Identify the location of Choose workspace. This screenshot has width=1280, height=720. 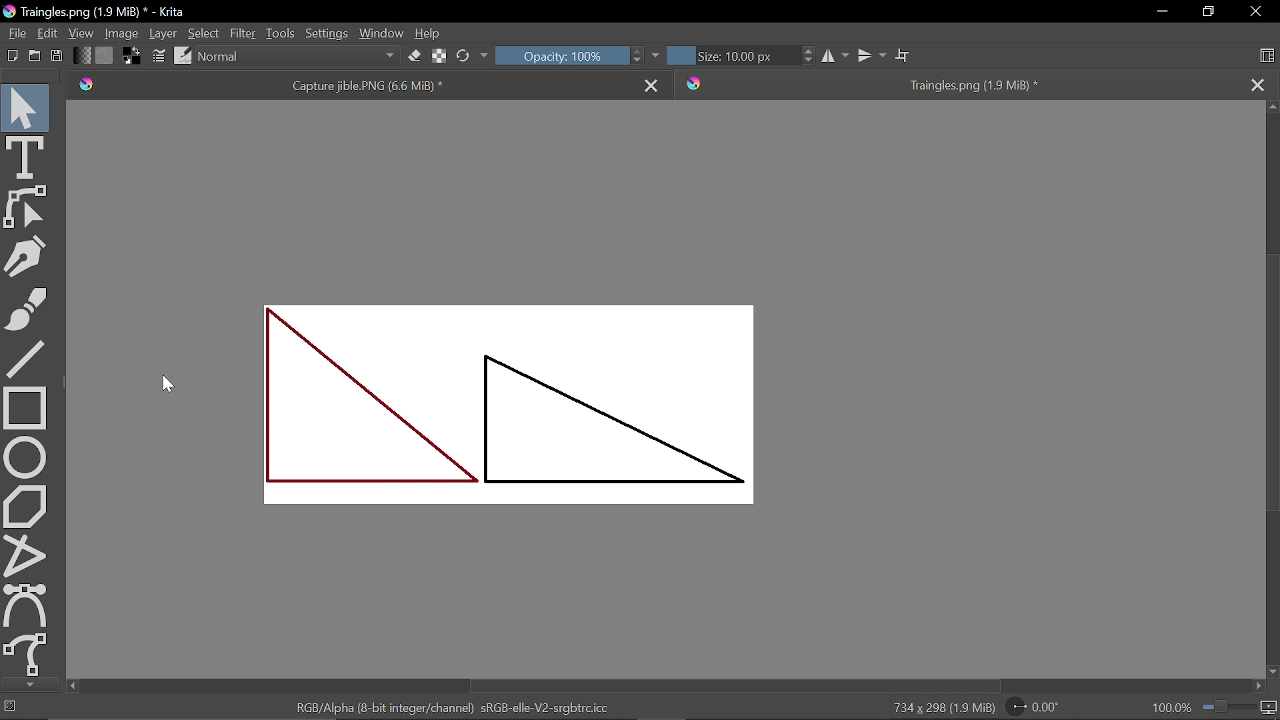
(1266, 53).